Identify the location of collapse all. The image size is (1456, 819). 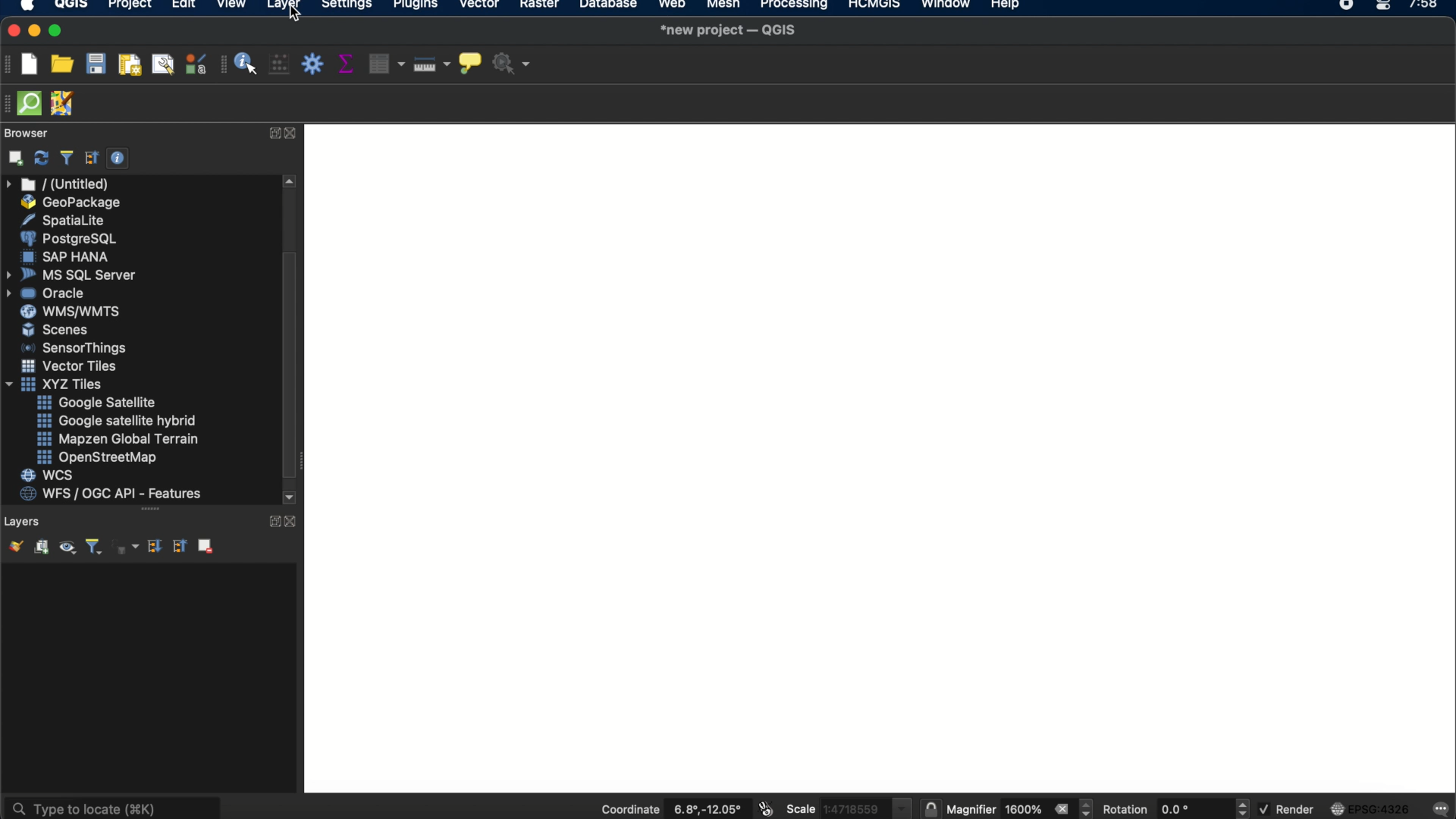
(92, 158).